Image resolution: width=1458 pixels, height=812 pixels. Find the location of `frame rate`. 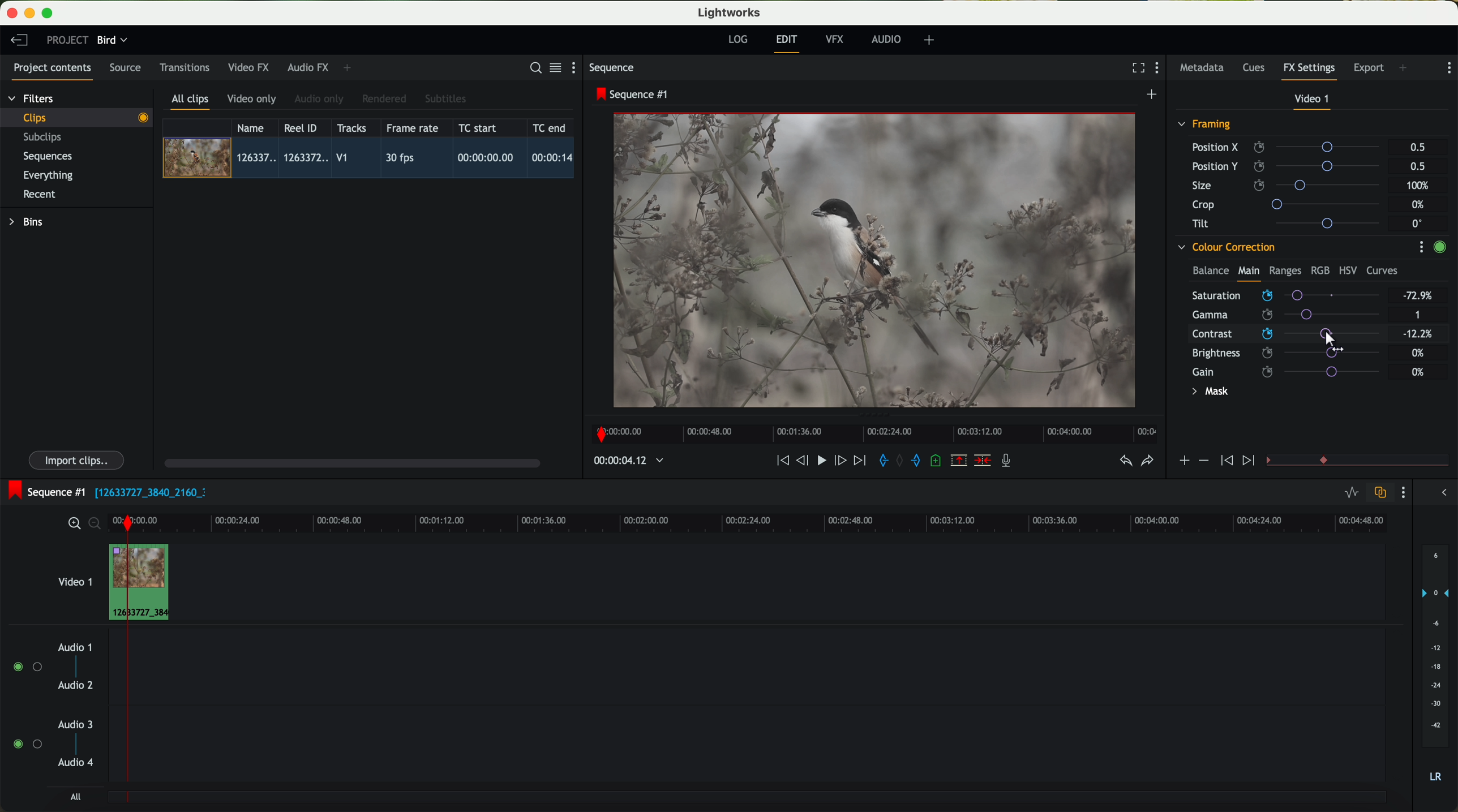

frame rate is located at coordinates (413, 128).